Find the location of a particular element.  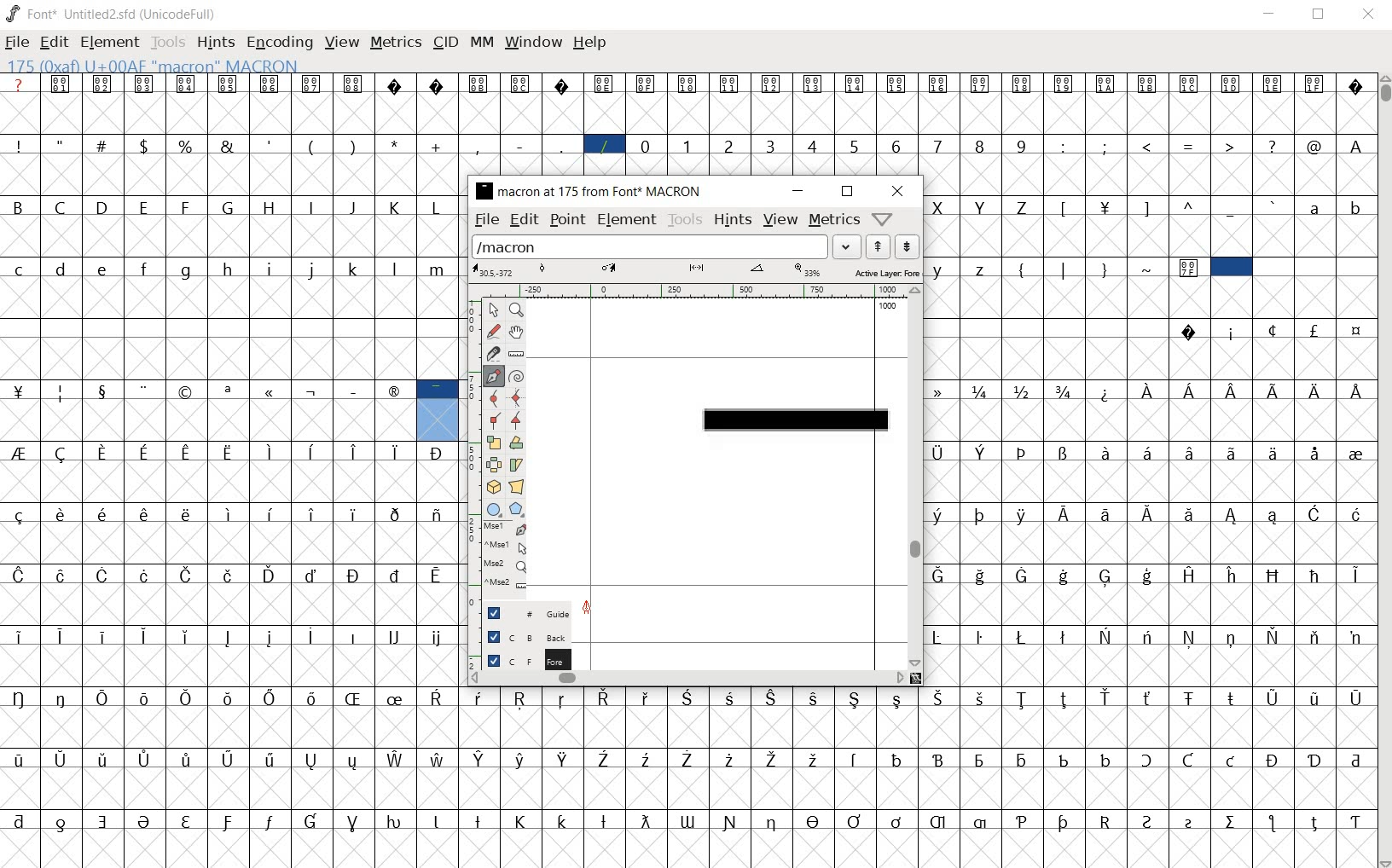

Maximize is located at coordinates (1322, 17).